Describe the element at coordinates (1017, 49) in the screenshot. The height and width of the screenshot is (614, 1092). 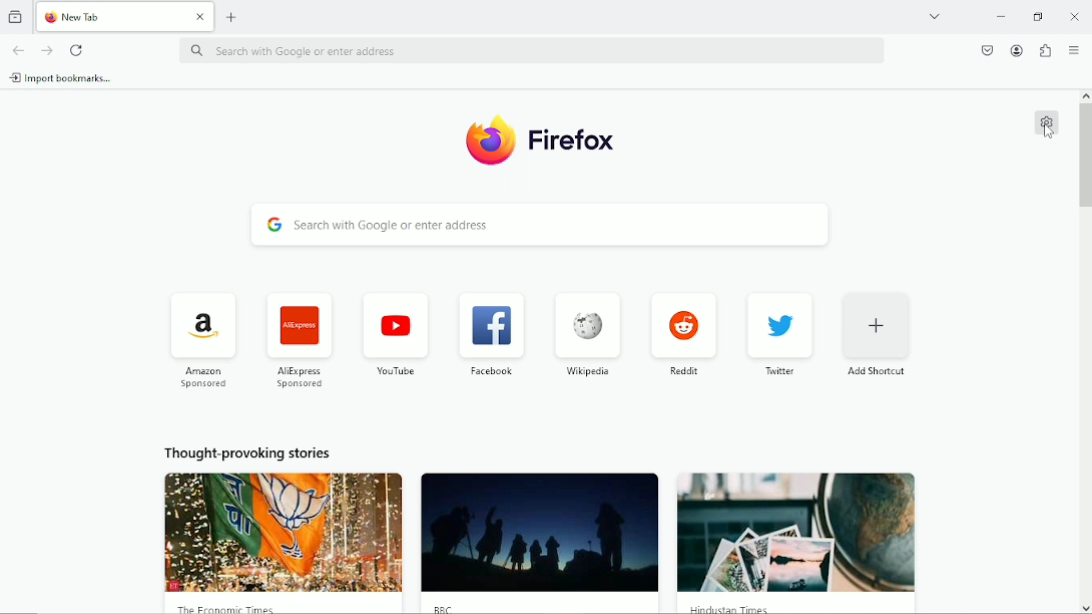
I see `Account` at that location.